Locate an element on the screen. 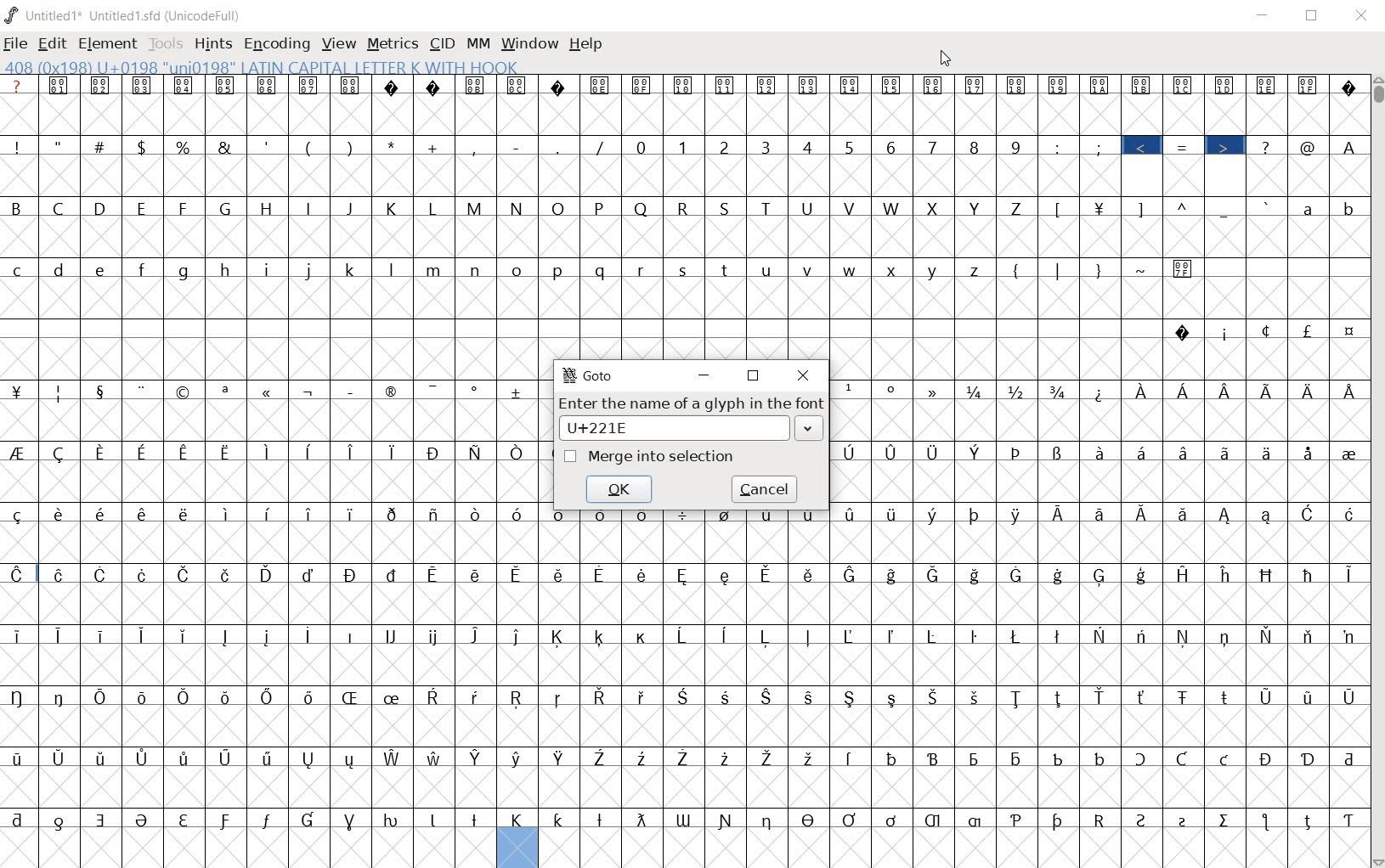  cancel is located at coordinates (766, 488).